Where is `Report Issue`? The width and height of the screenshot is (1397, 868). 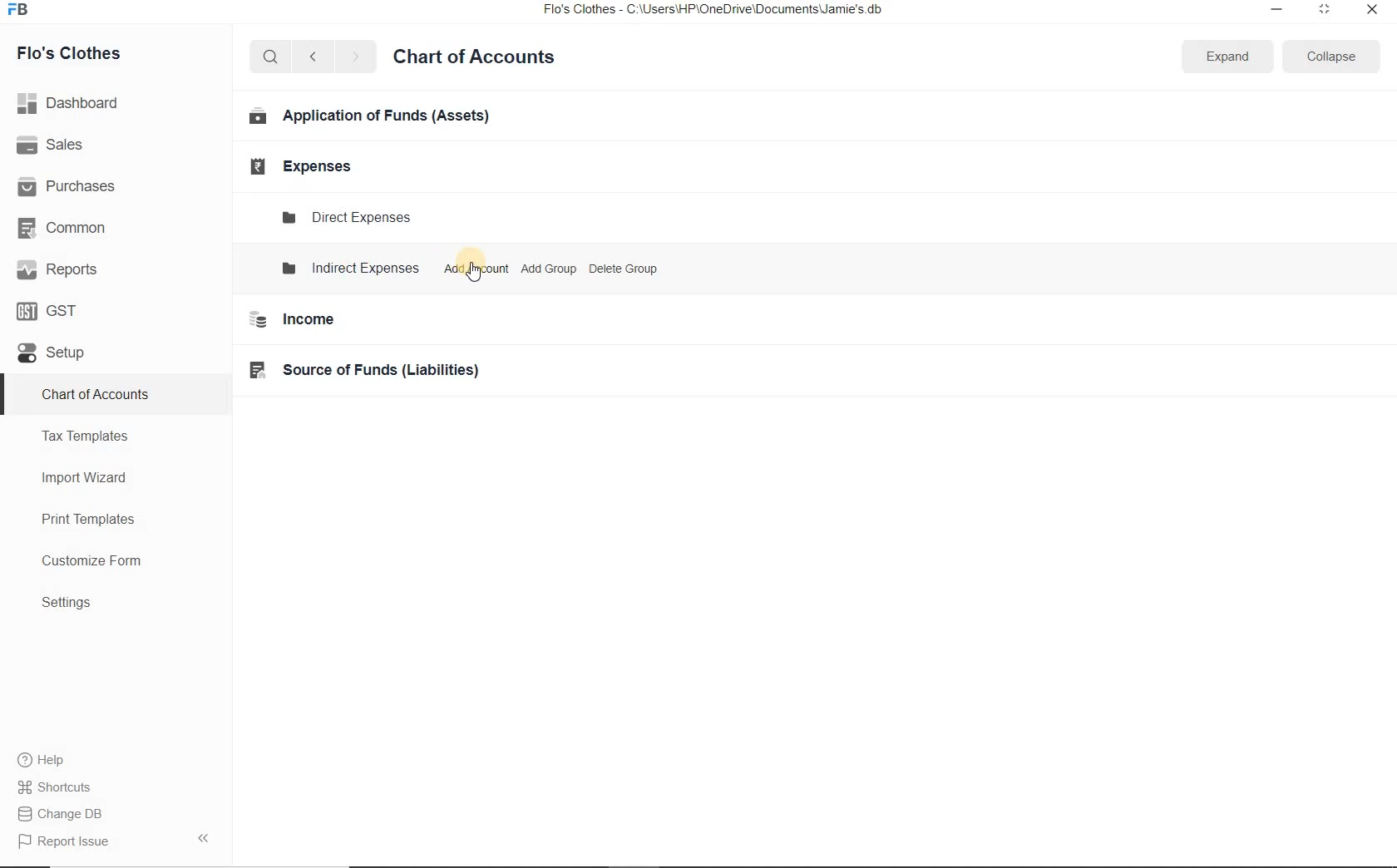
Report Issue is located at coordinates (60, 842).